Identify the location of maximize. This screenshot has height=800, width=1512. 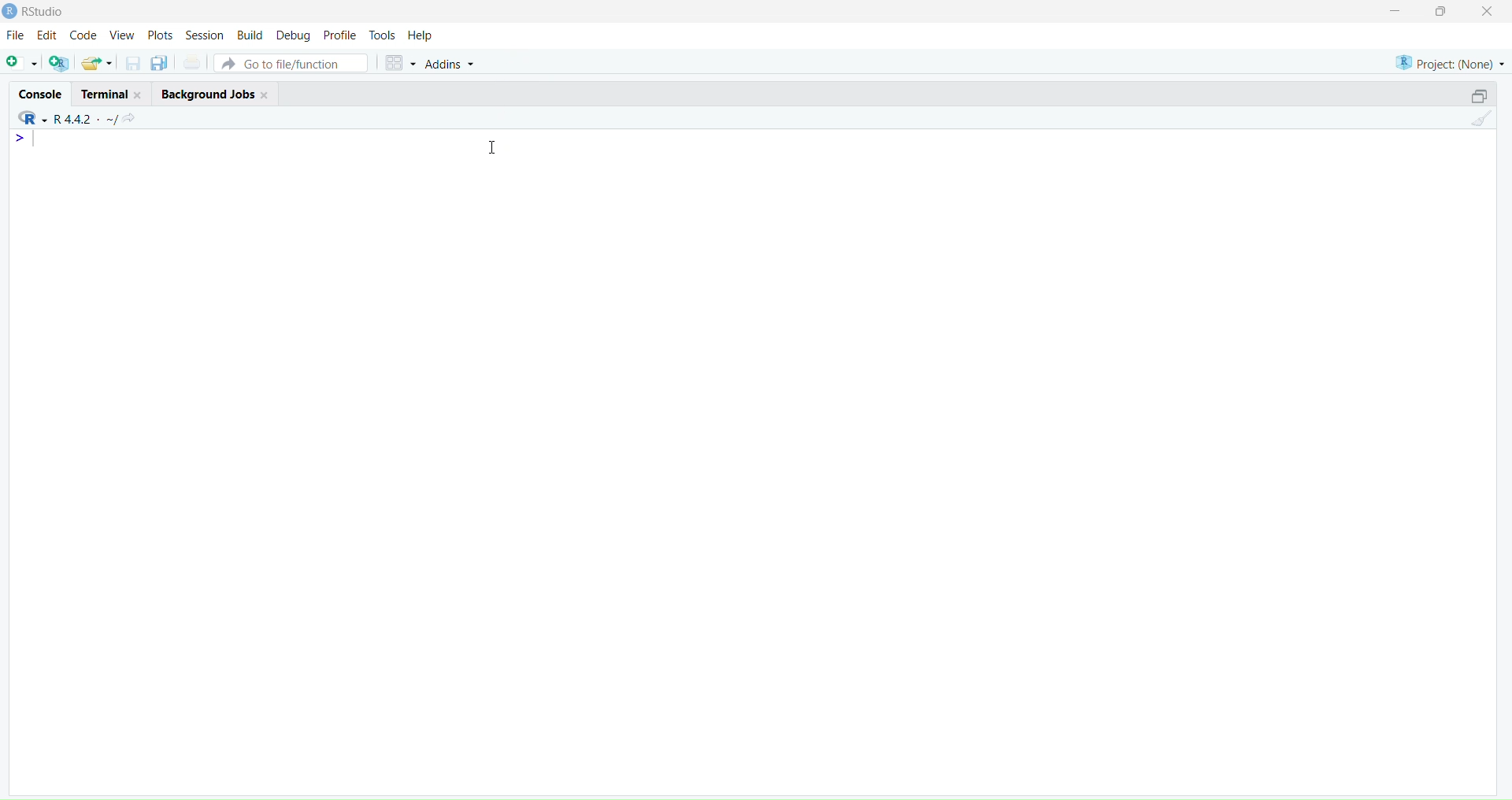
(1440, 13).